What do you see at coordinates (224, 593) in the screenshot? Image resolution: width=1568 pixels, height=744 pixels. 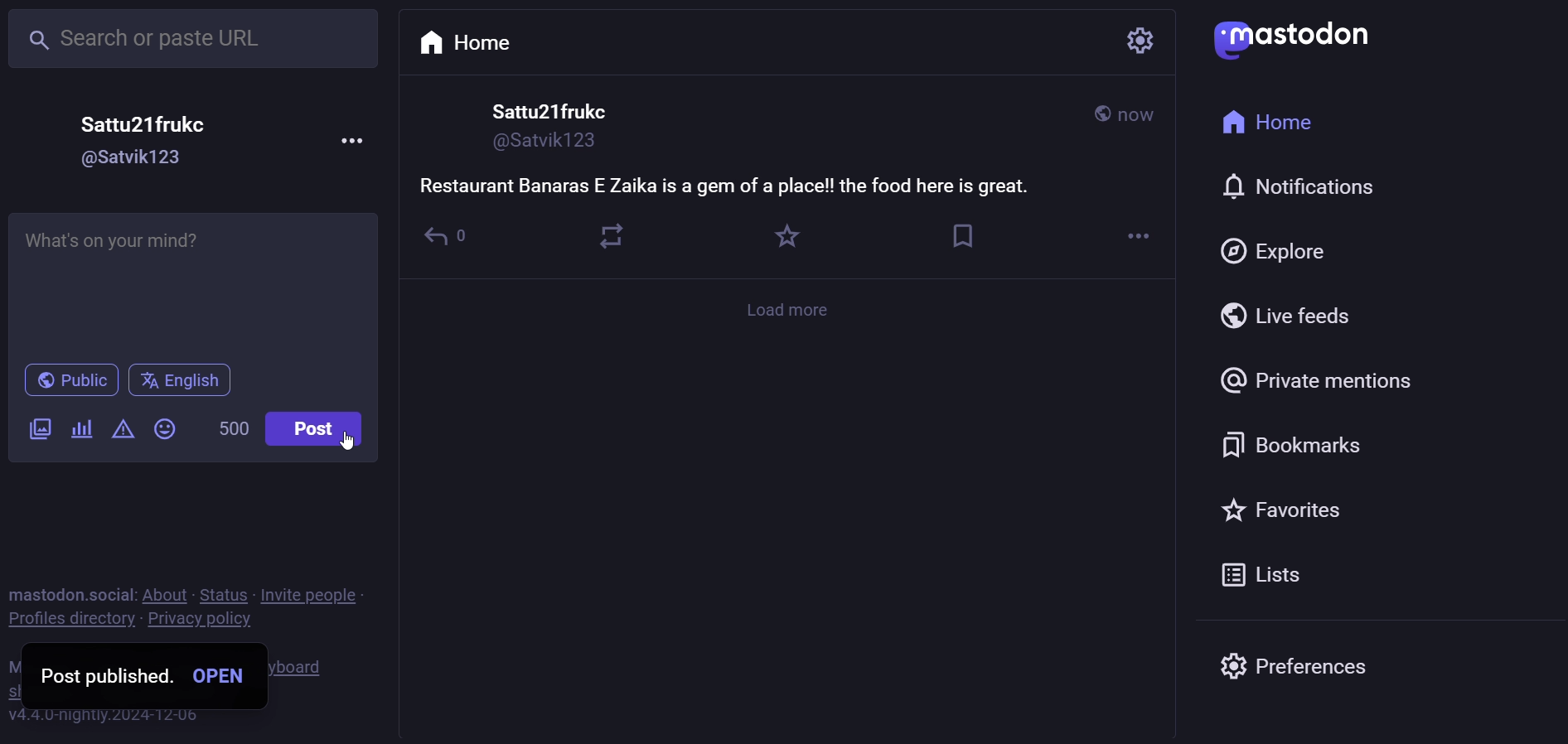 I see `status` at bounding box center [224, 593].